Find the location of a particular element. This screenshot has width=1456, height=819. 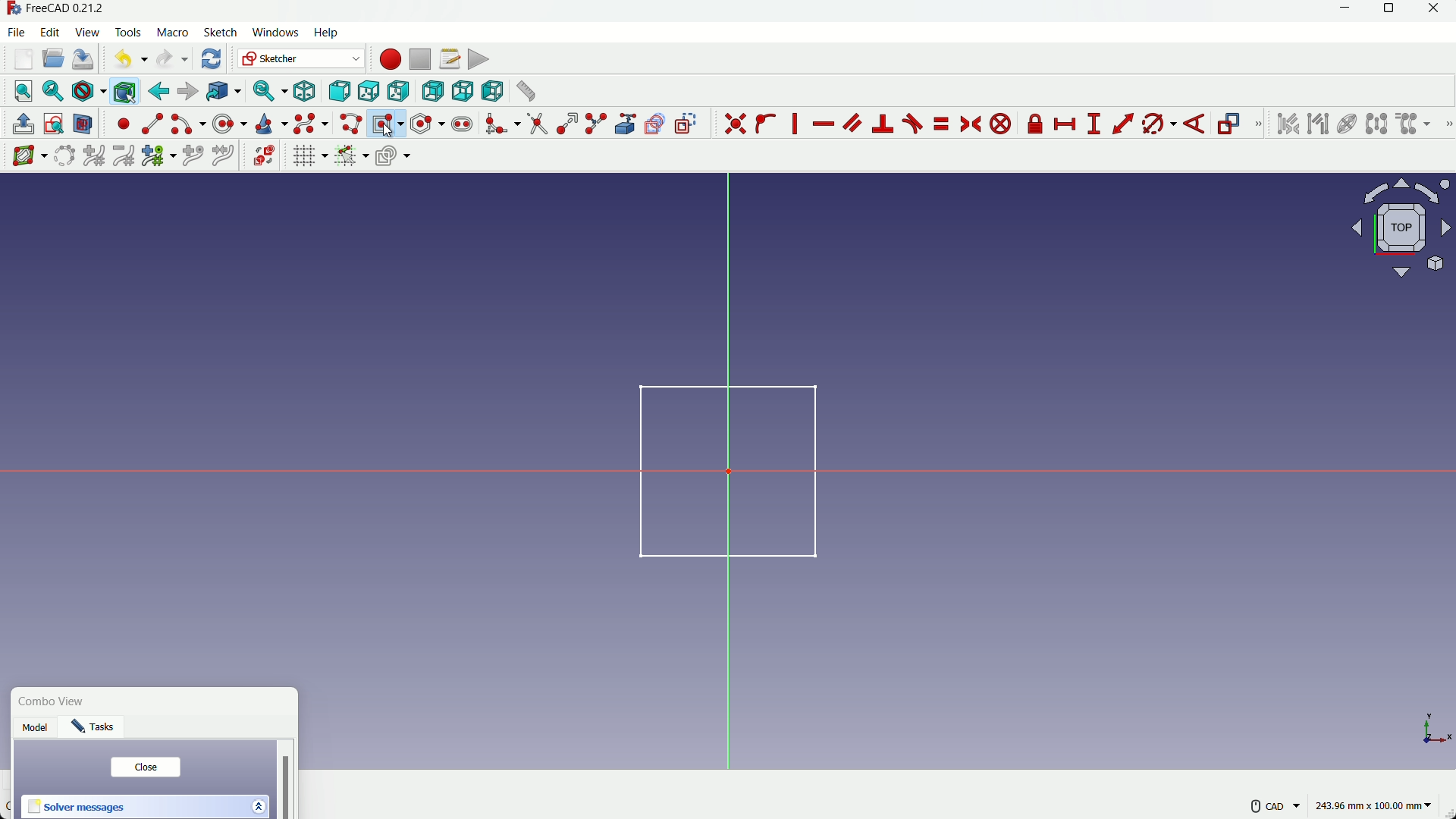

constraint tangent is located at coordinates (913, 124).